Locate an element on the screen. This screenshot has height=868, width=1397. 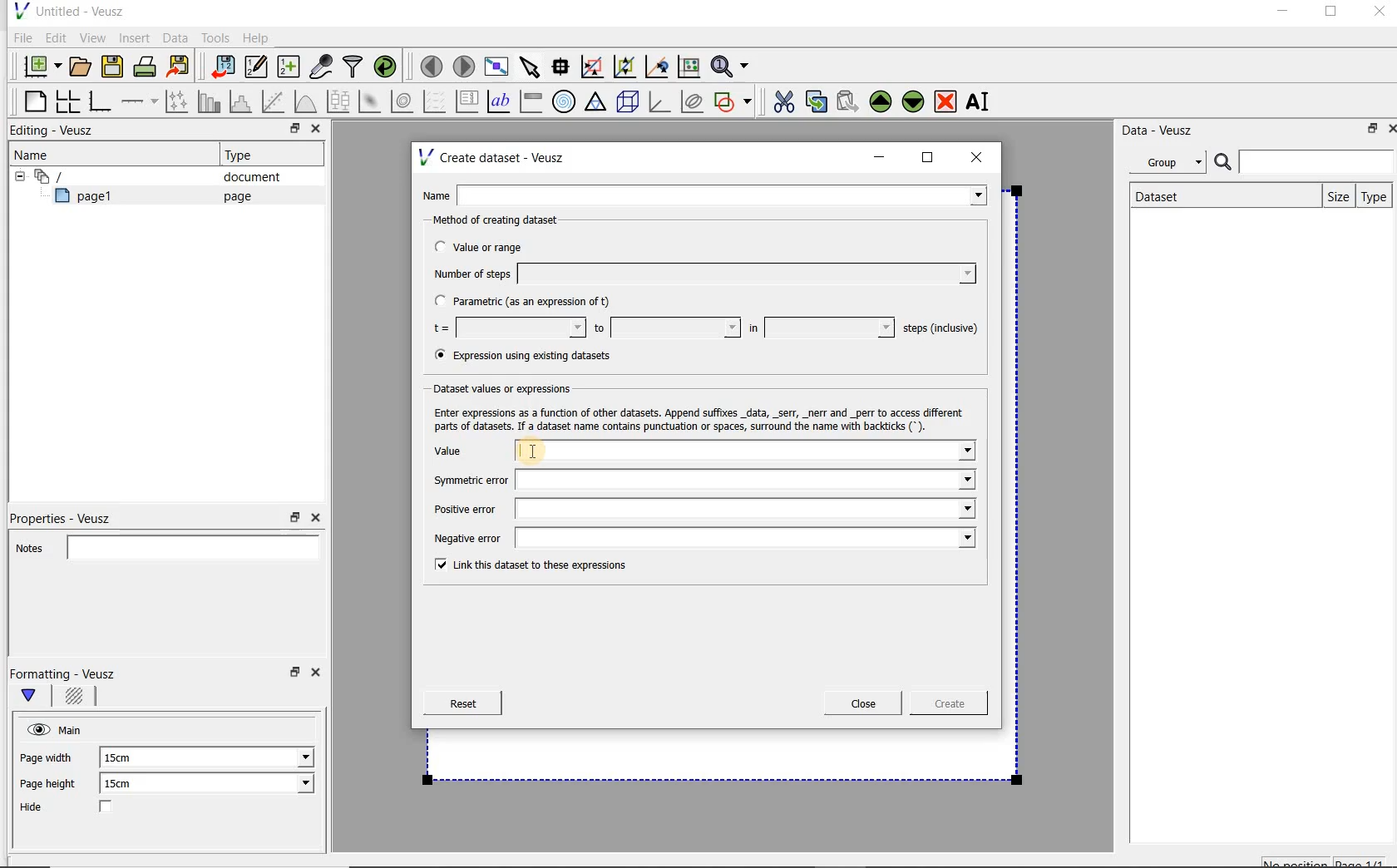
Close is located at coordinates (863, 703).